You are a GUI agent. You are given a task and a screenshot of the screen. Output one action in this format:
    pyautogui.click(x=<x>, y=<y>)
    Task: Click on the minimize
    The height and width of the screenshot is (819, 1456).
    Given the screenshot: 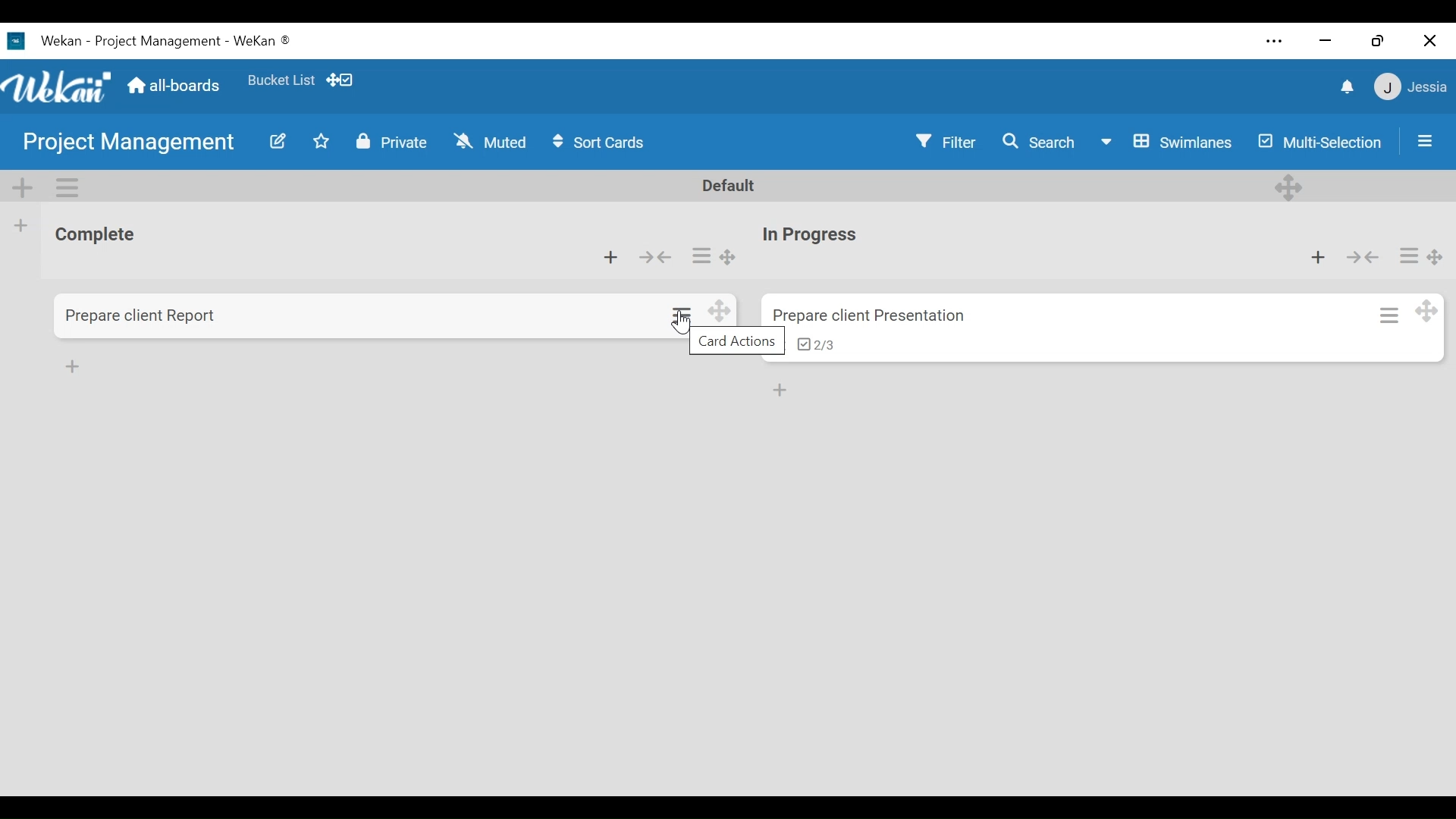 What is the action you would take?
    pyautogui.click(x=1326, y=40)
    